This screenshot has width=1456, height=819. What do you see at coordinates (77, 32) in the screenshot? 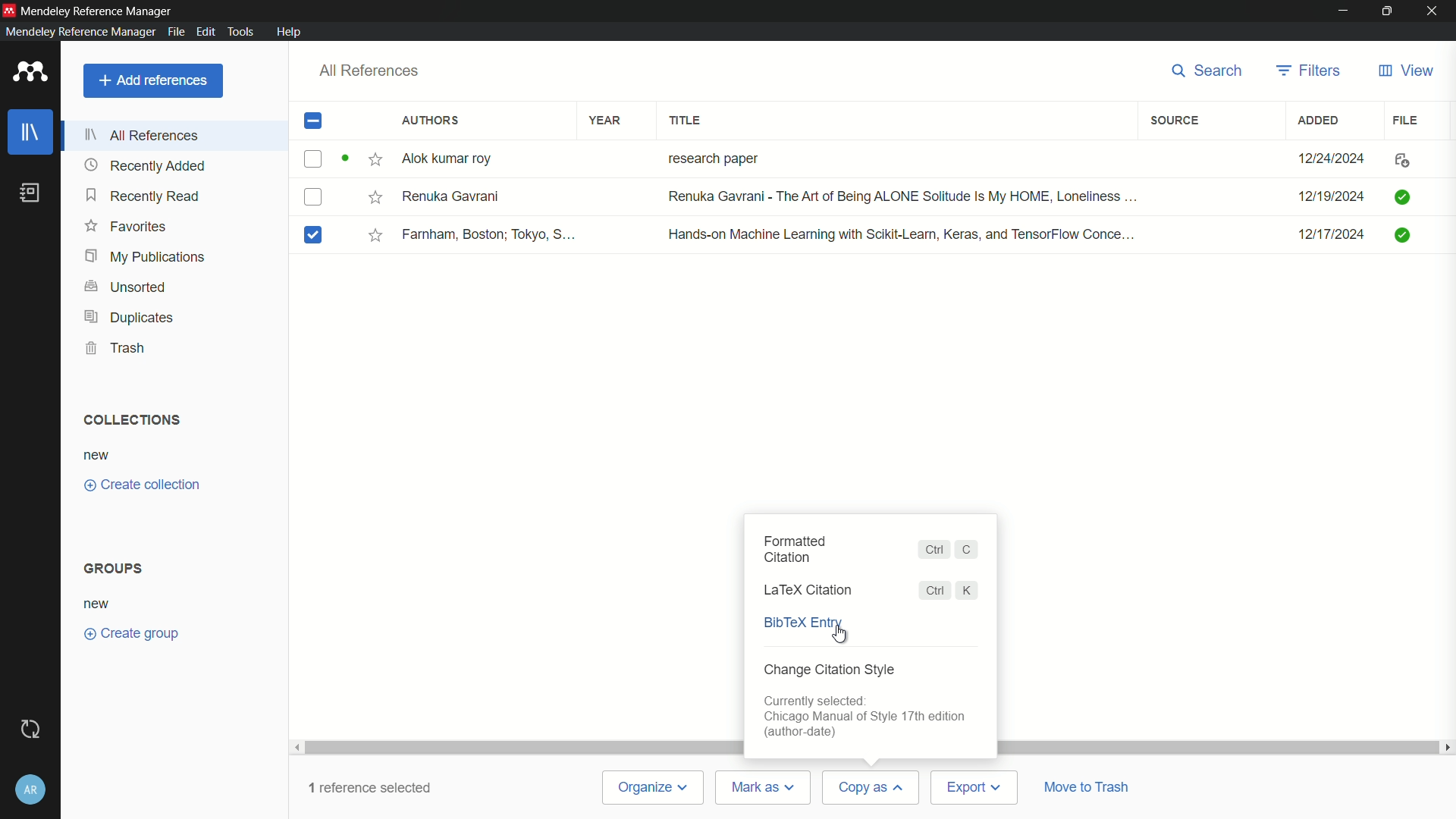
I see `Mendeley Reference Manager` at bounding box center [77, 32].